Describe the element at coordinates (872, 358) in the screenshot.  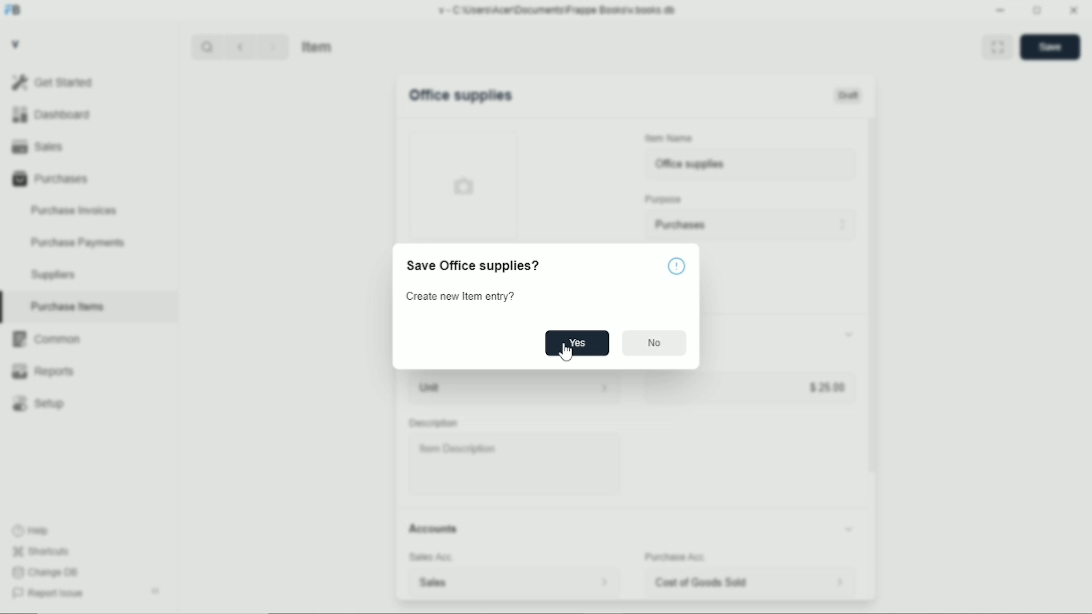
I see `scroll bar` at that location.